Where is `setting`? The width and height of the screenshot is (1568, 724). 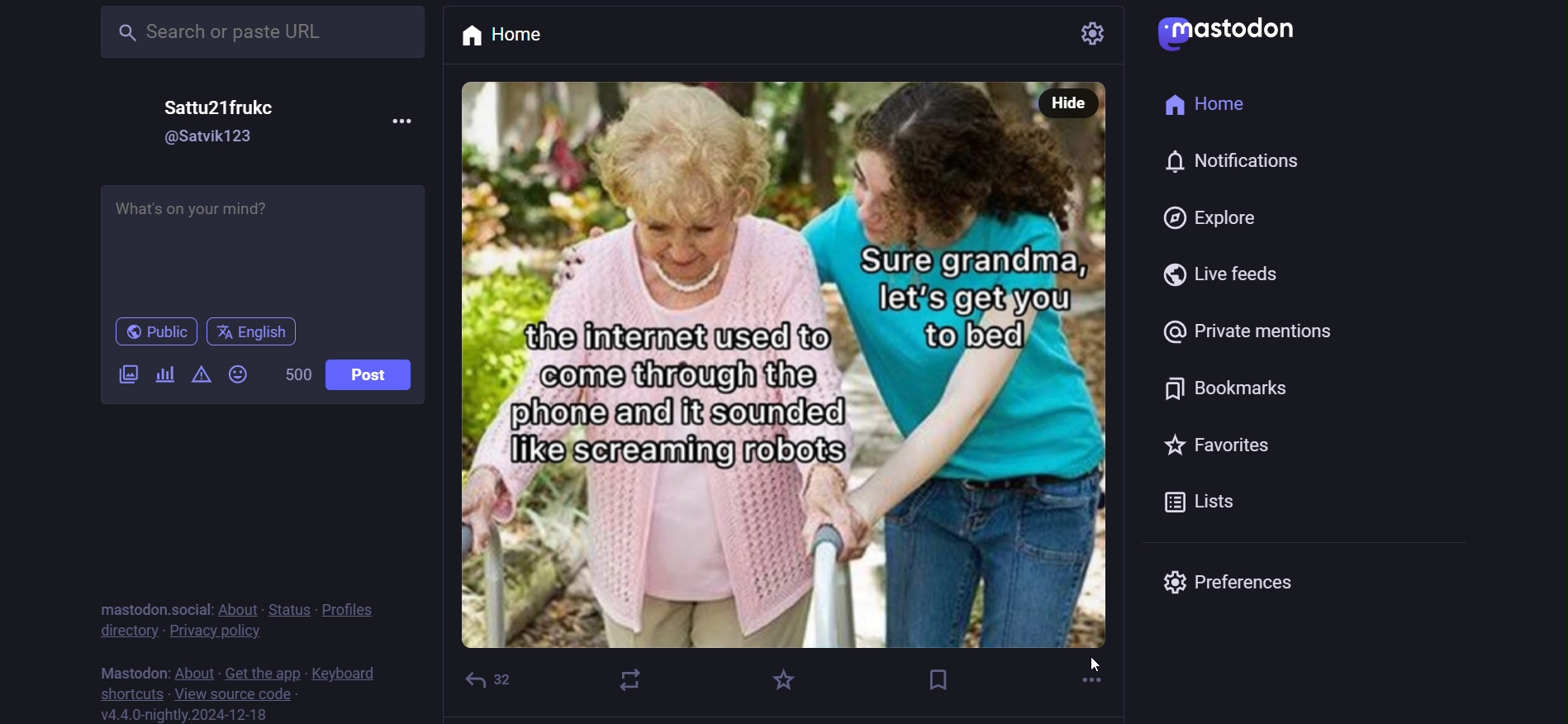 setting is located at coordinates (1064, 31).